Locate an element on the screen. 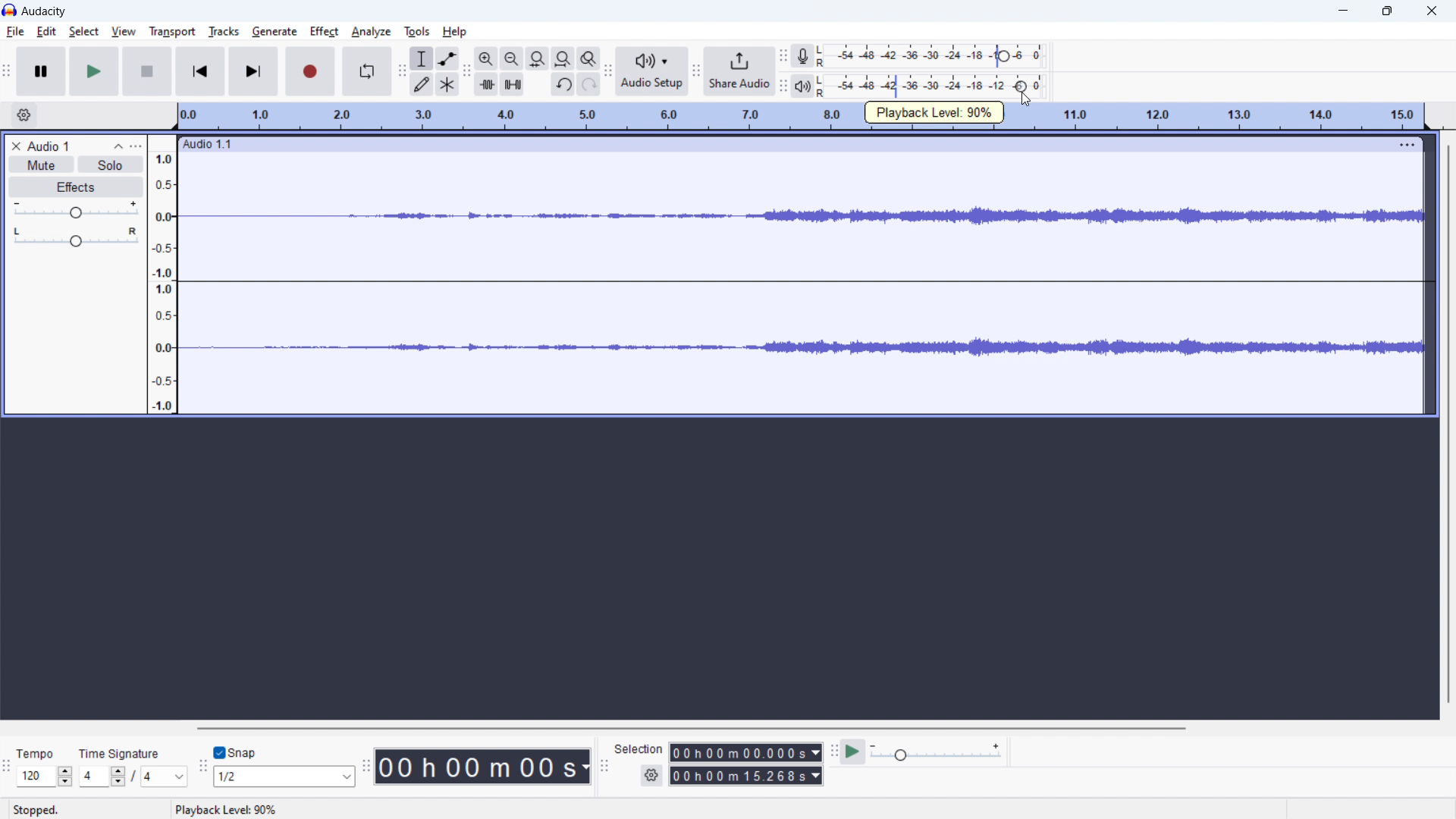 This screenshot has width=1456, height=819. share audio is located at coordinates (739, 71).